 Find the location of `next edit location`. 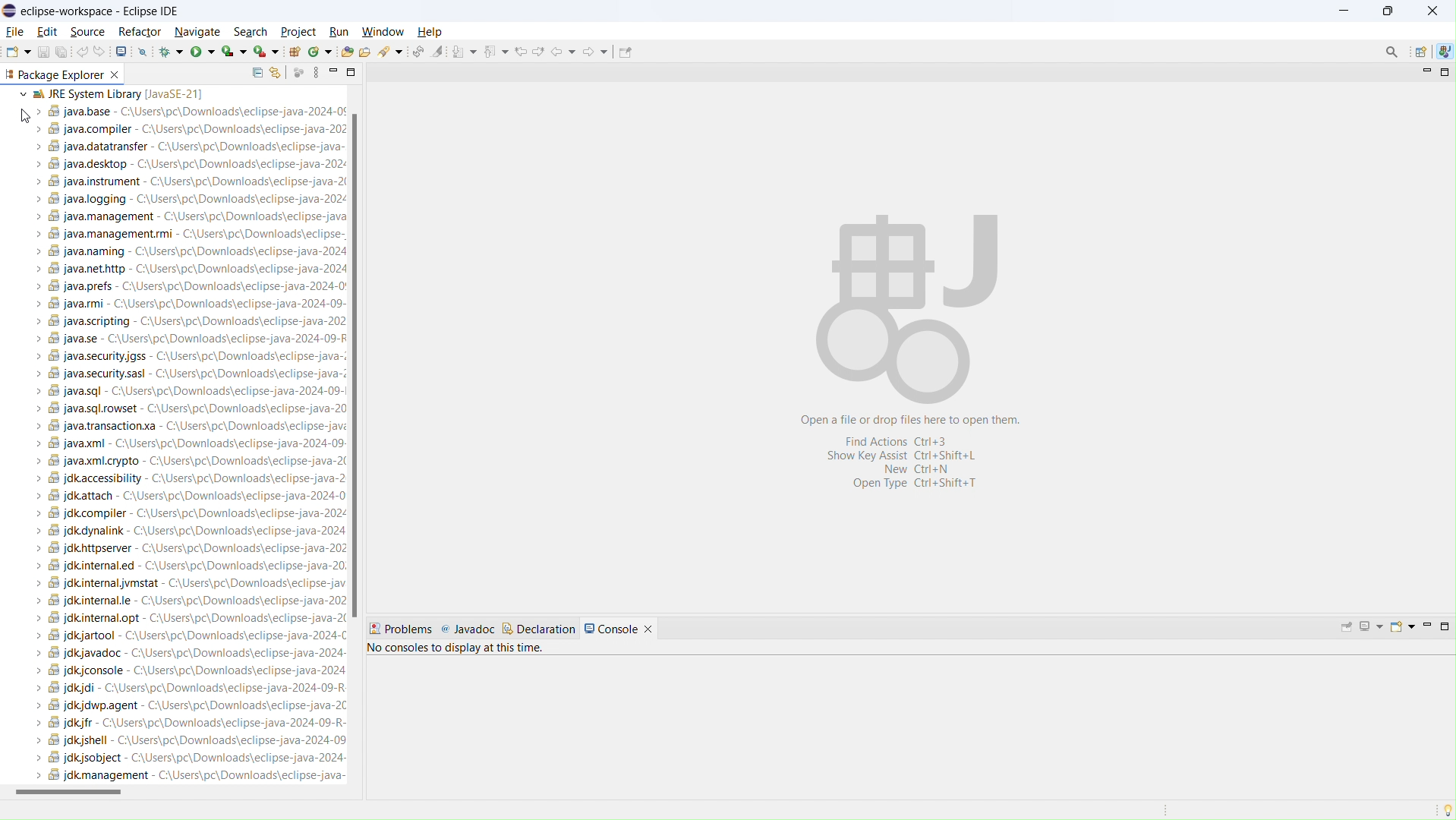

next edit location is located at coordinates (538, 51).